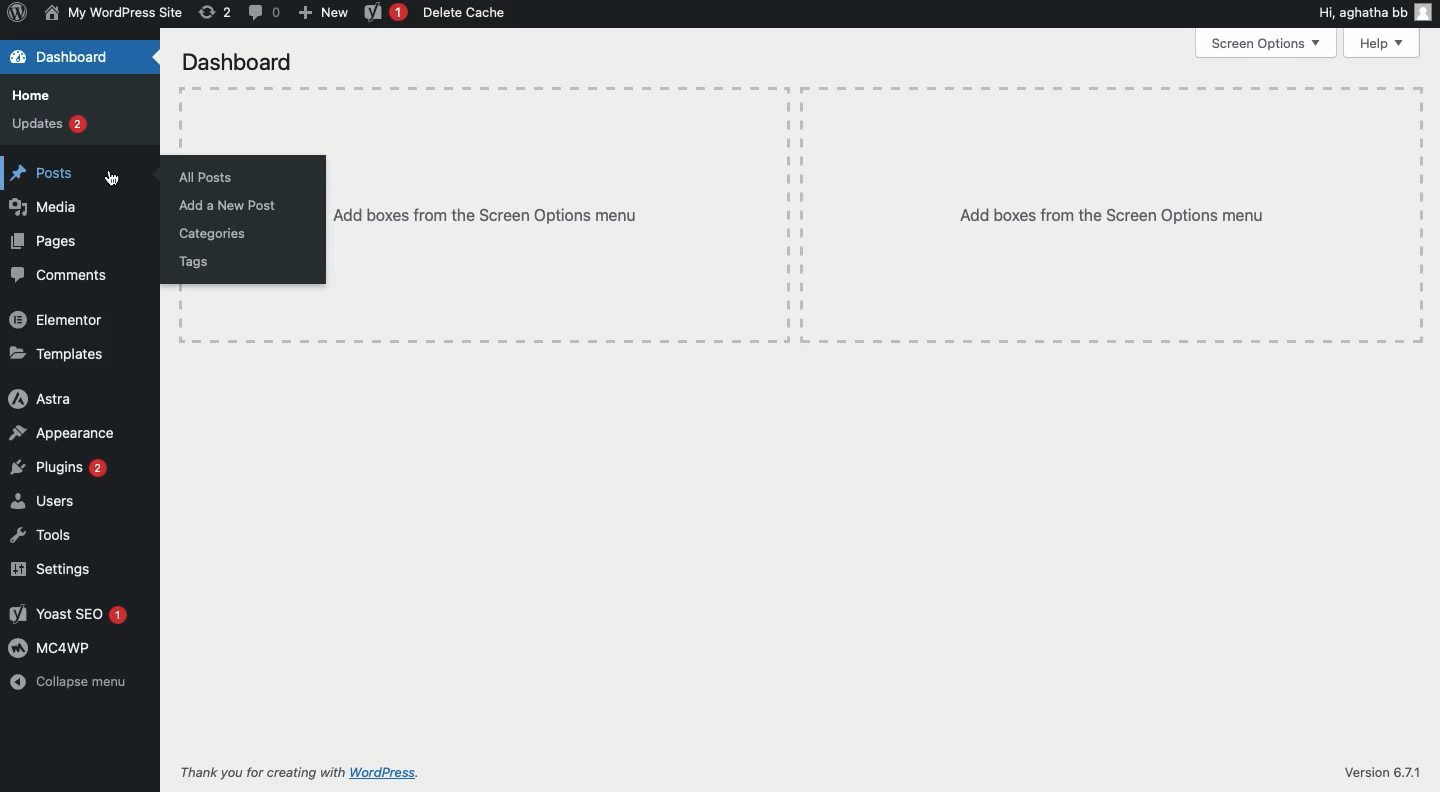 The image size is (1440, 792). Describe the element at coordinates (262, 13) in the screenshot. I see `Comment` at that location.